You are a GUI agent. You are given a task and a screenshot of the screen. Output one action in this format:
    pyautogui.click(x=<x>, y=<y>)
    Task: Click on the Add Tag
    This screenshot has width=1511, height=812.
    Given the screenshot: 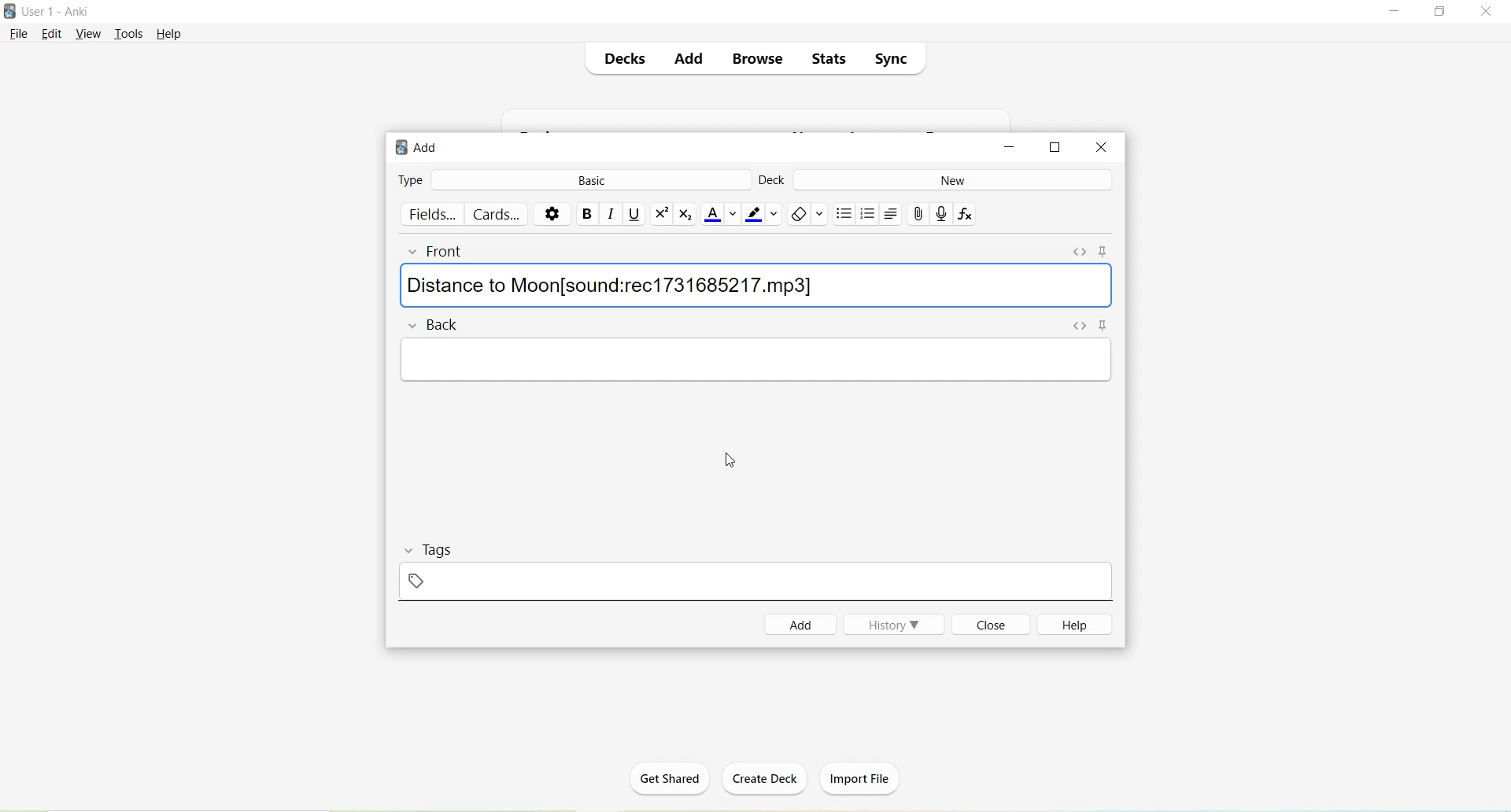 What is the action you would take?
    pyautogui.click(x=418, y=581)
    